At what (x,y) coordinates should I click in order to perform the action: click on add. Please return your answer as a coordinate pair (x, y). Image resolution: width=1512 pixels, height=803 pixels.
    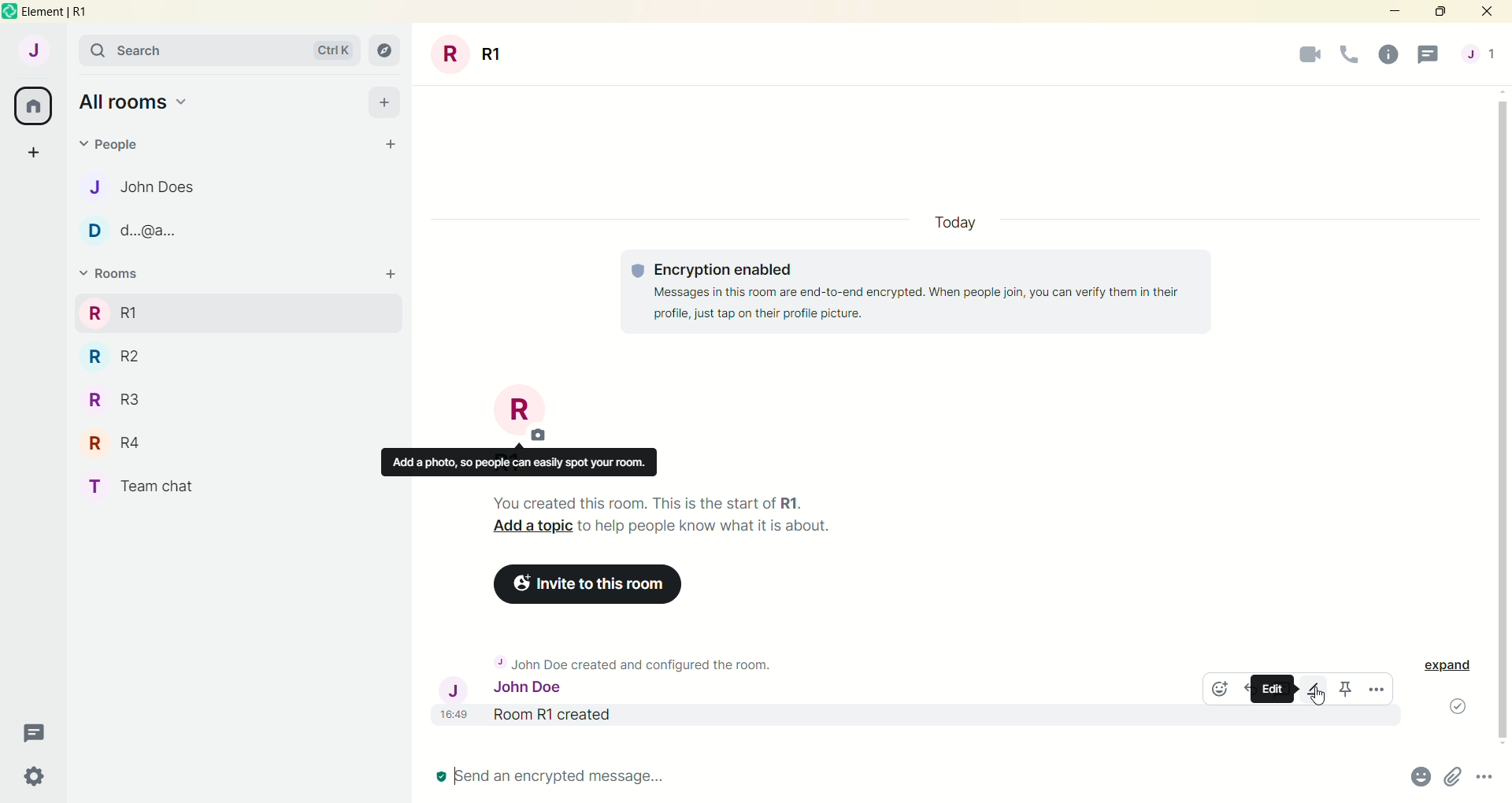
    Looking at the image, I should click on (386, 102).